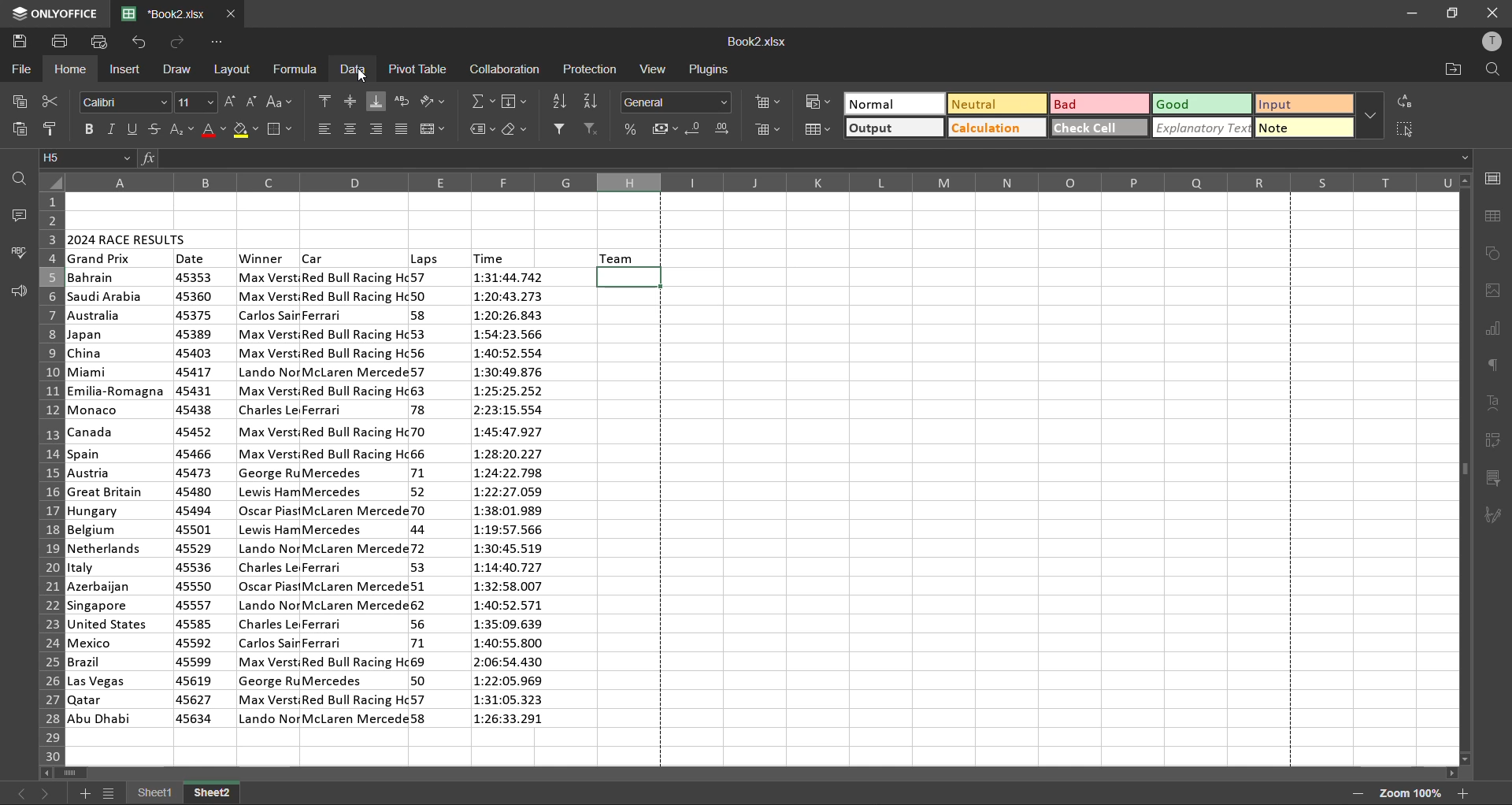  I want to click on slicer, so click(1495, 480).